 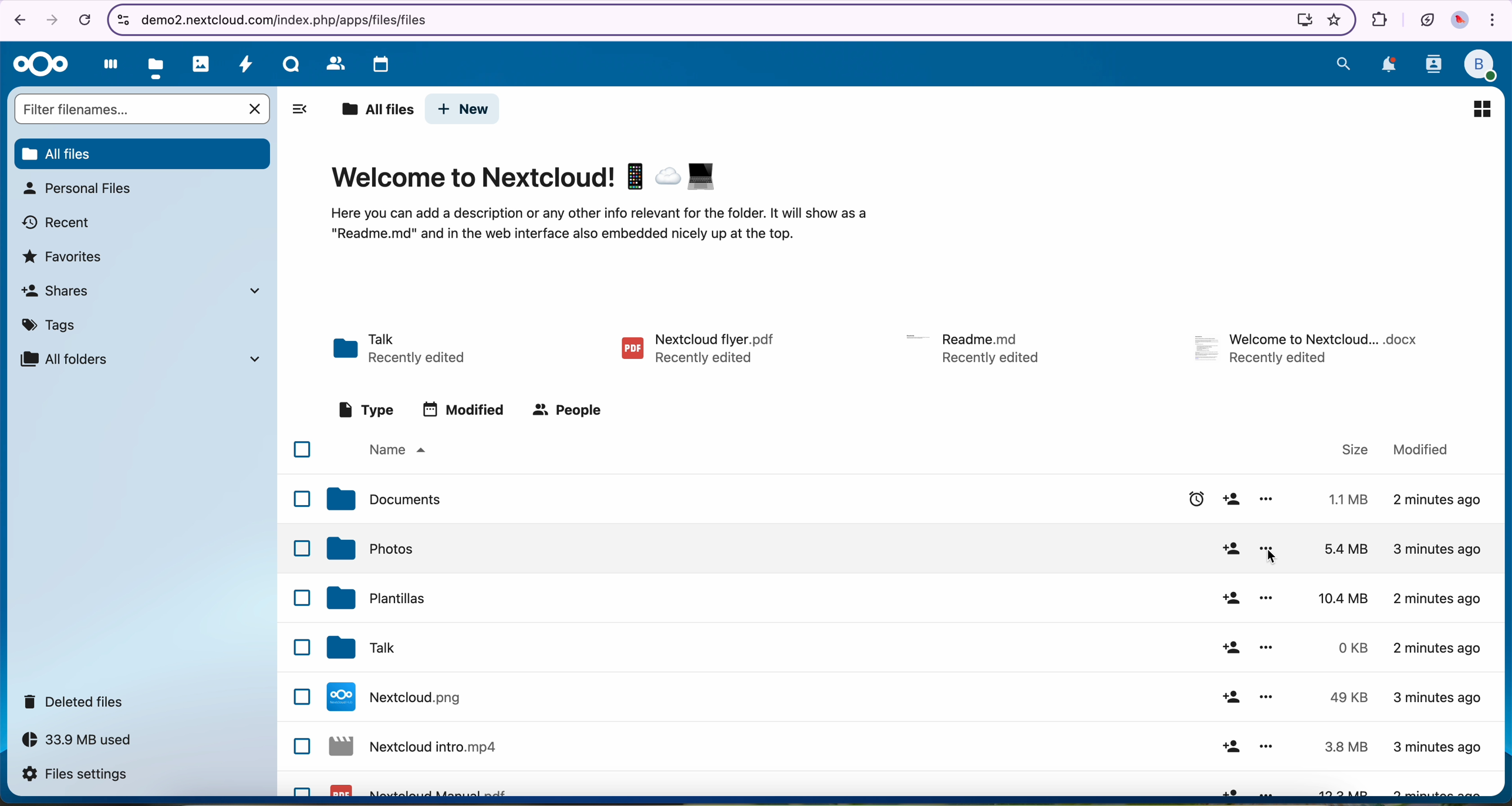 I want to click on 3 minutes ago, so click(x=1437, y=748).